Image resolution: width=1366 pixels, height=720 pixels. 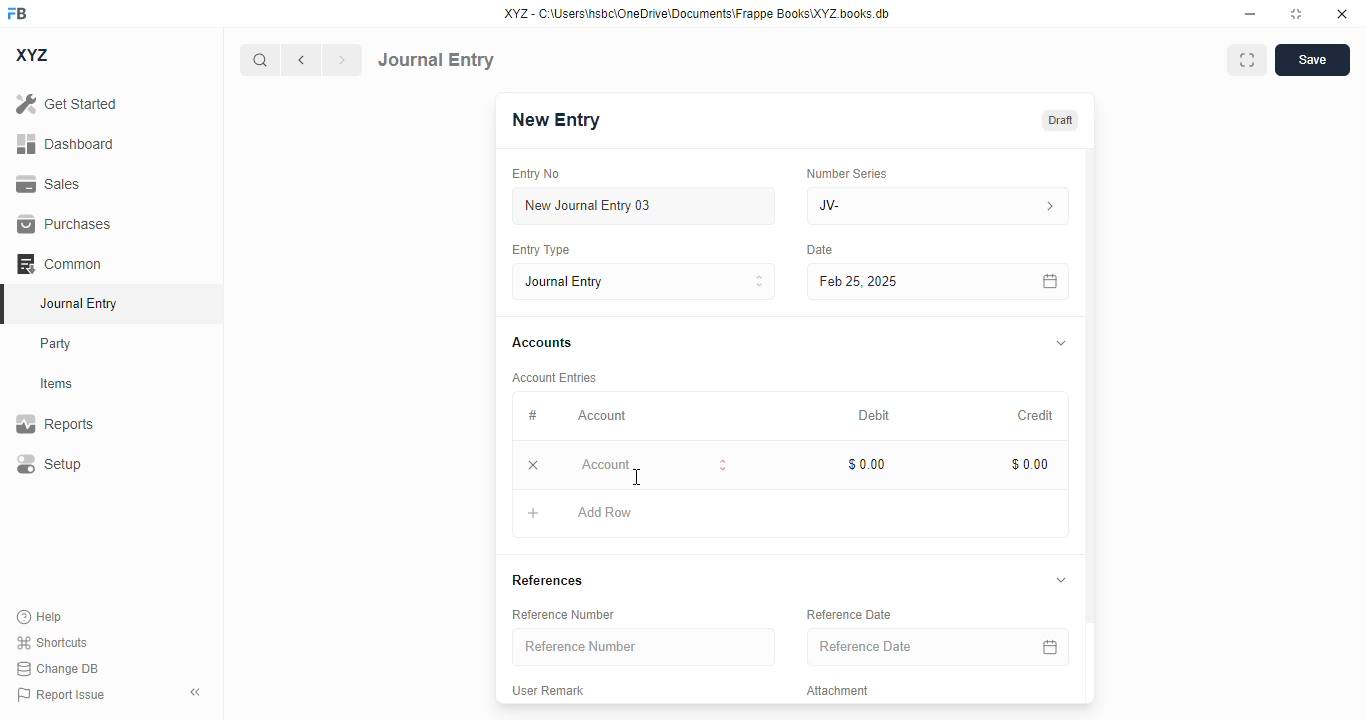 What do you see at coordinates (821, 250) in the screenshot?
I see `date` at bounding box center [821, 250].